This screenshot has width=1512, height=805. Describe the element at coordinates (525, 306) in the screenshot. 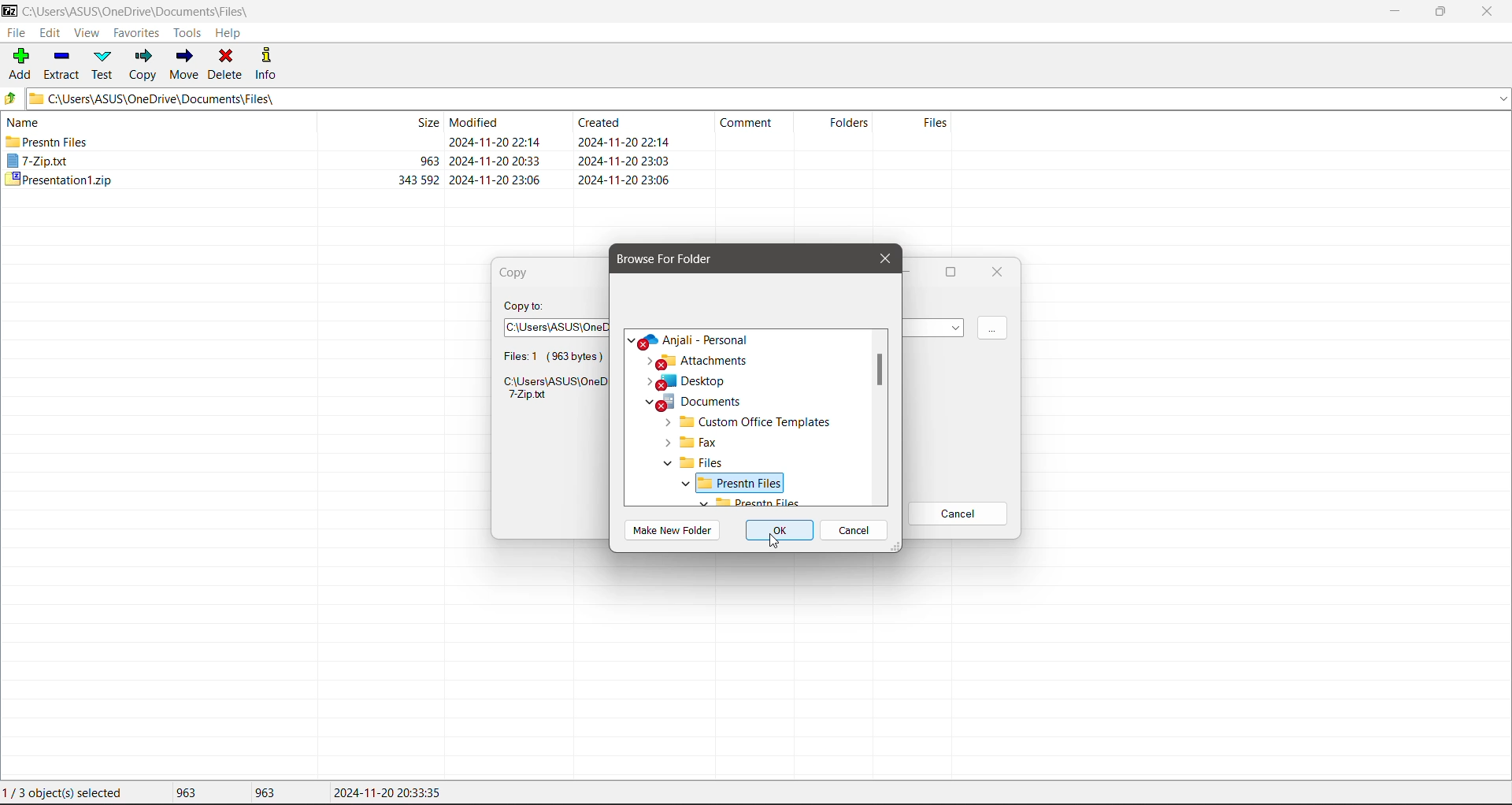

I see `Copy To` at that location.